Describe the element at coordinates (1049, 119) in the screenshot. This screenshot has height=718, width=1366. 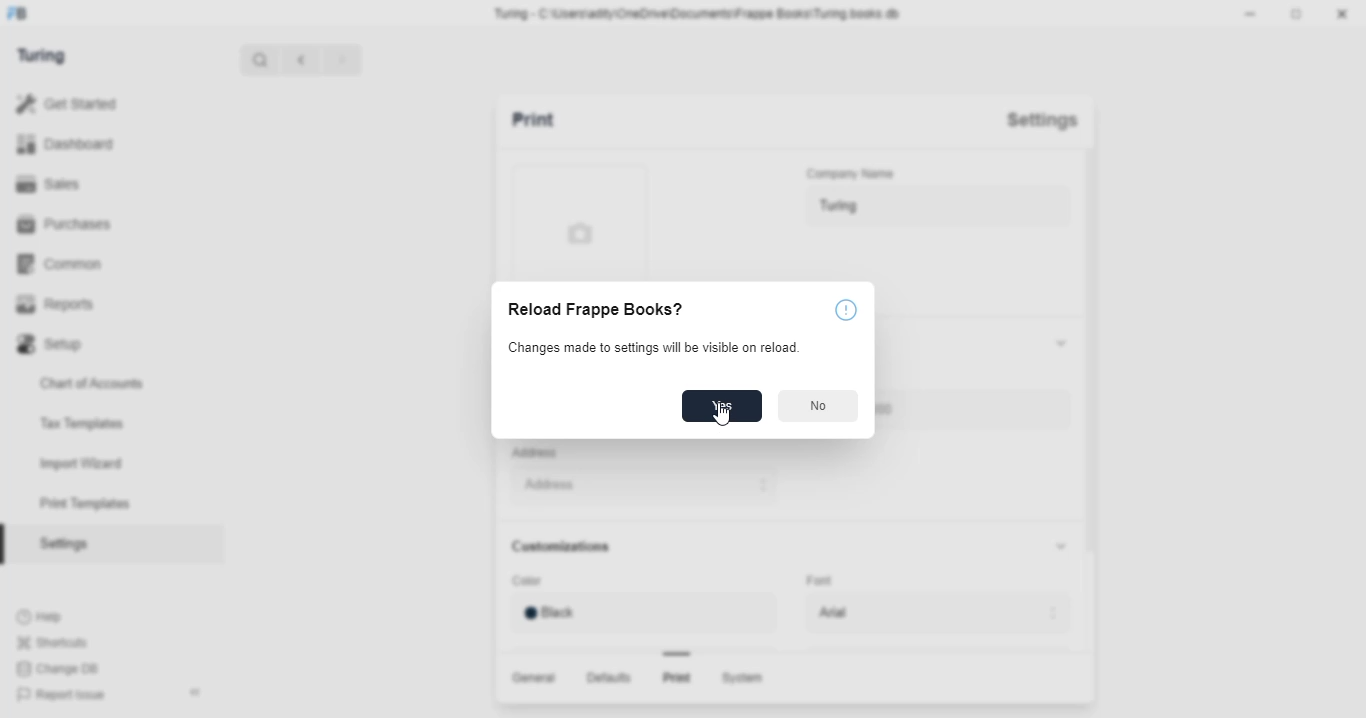
I see `Settings` at that location.